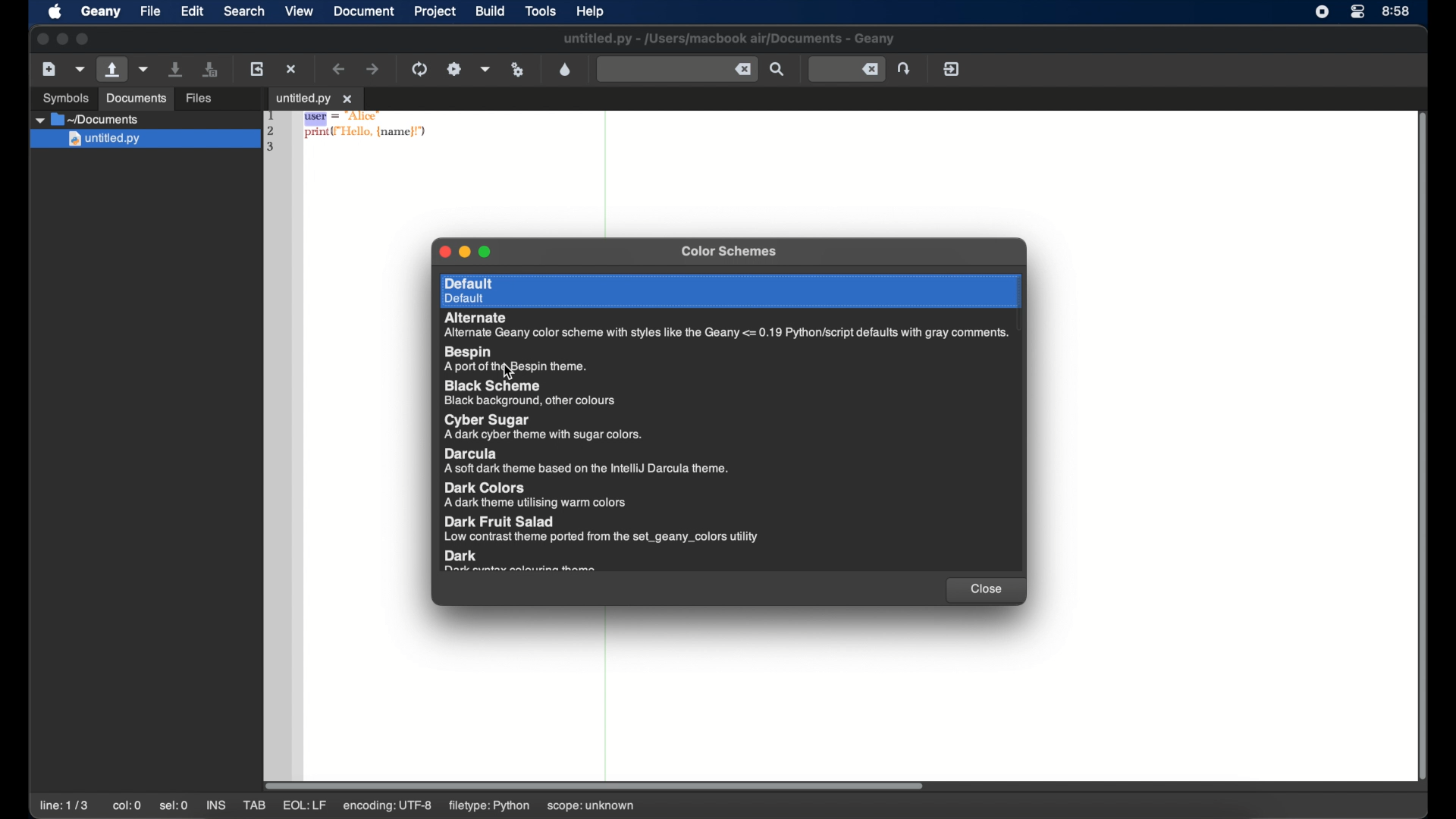  I want to click on close, so click(443, 252).